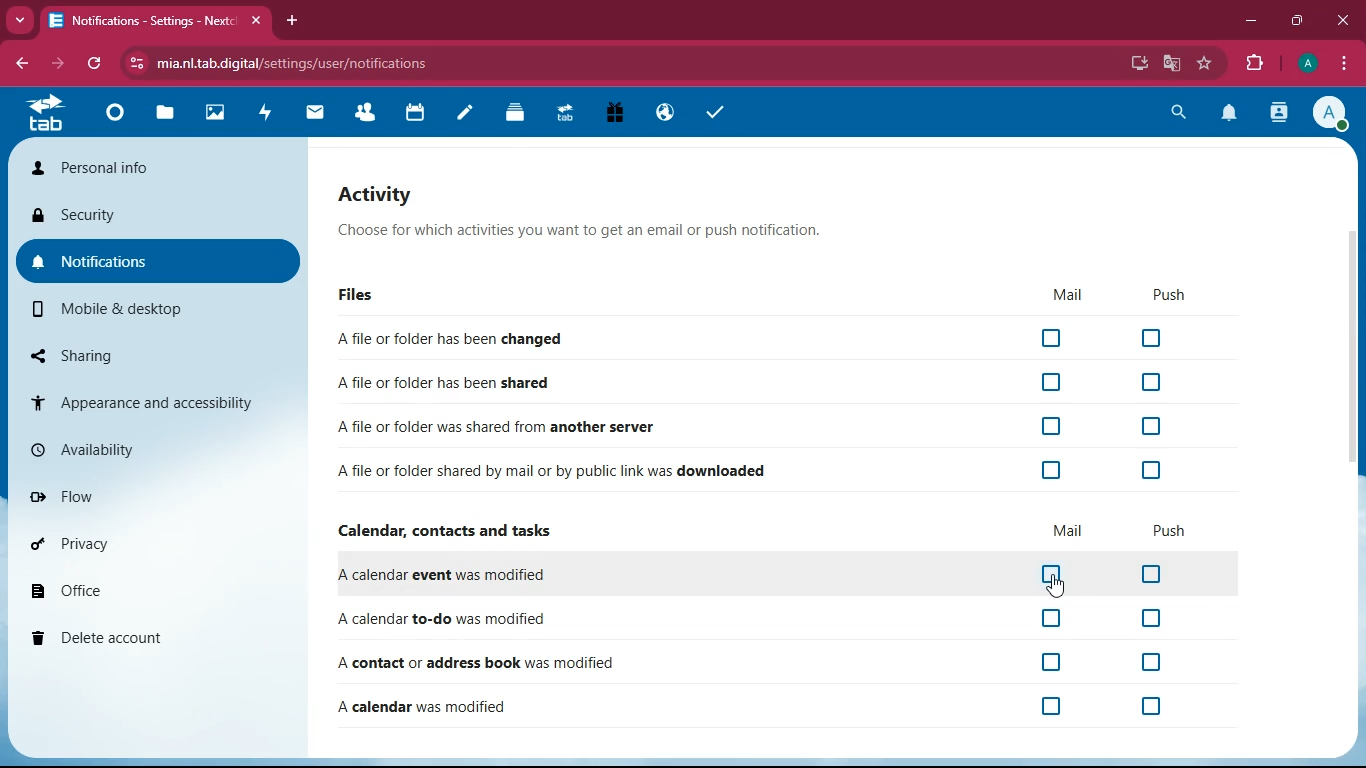 This screenshot has height=768, width=1366. I want to click on mia.nl.tab.digital/settings/user/notifications, so click(296, 65).